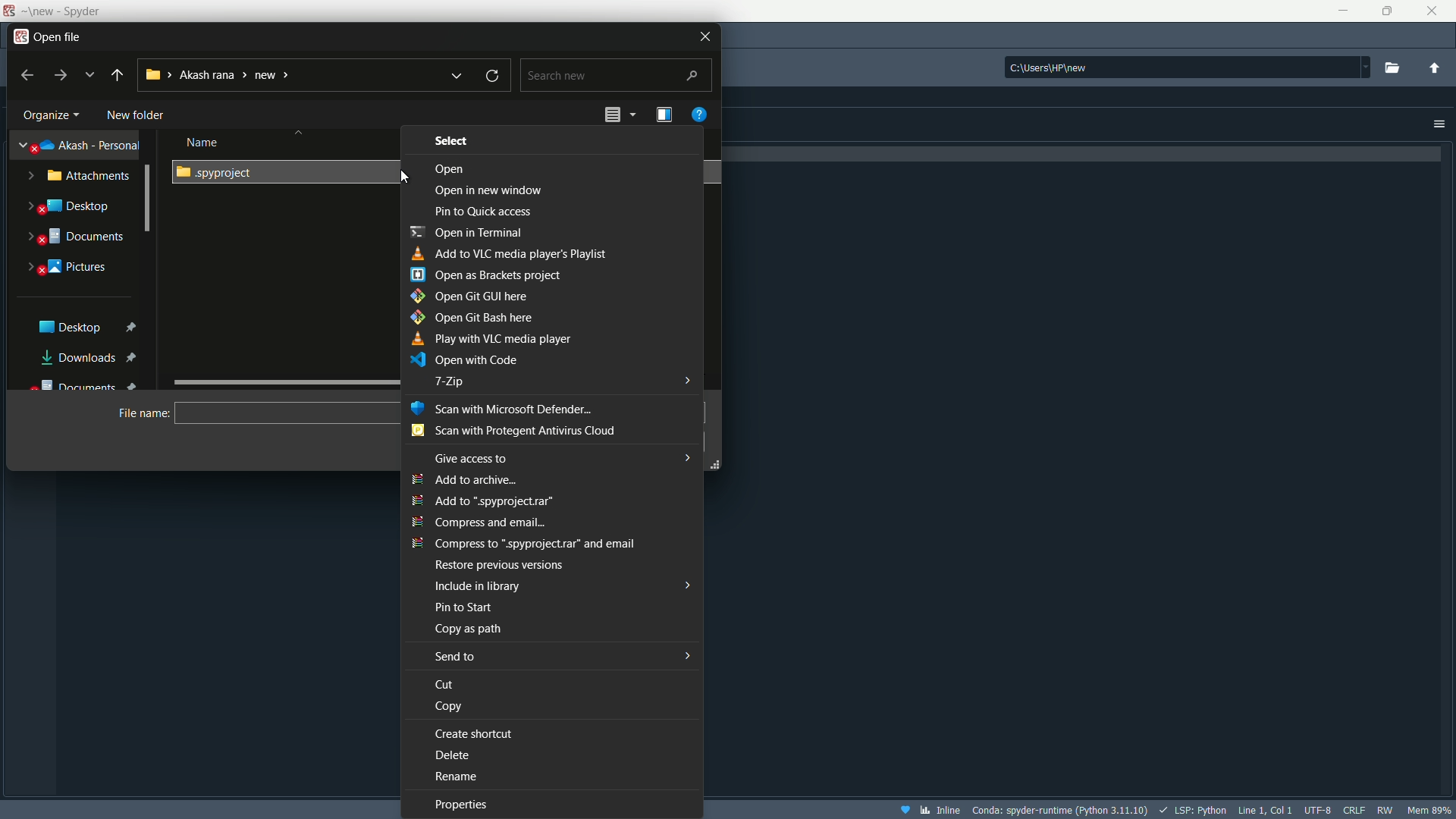  I want to click on Rename, so click(458, 777).